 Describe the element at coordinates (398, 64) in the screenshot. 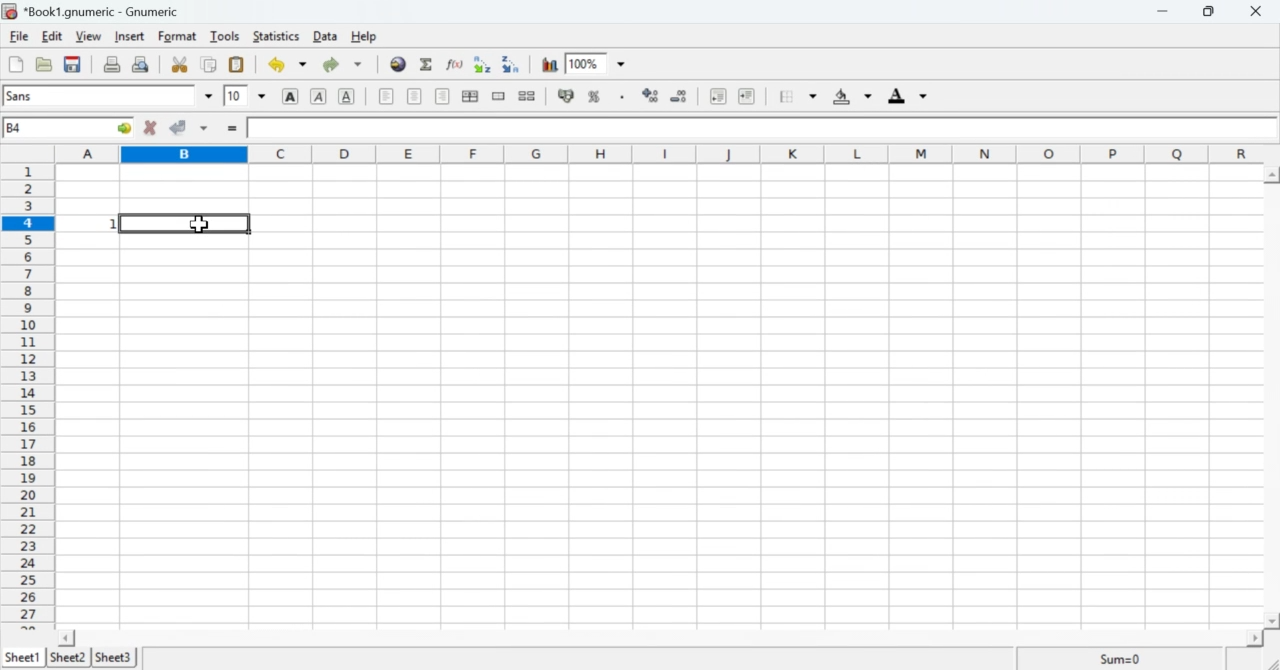

I see `Insert Hyperlink` at that location.